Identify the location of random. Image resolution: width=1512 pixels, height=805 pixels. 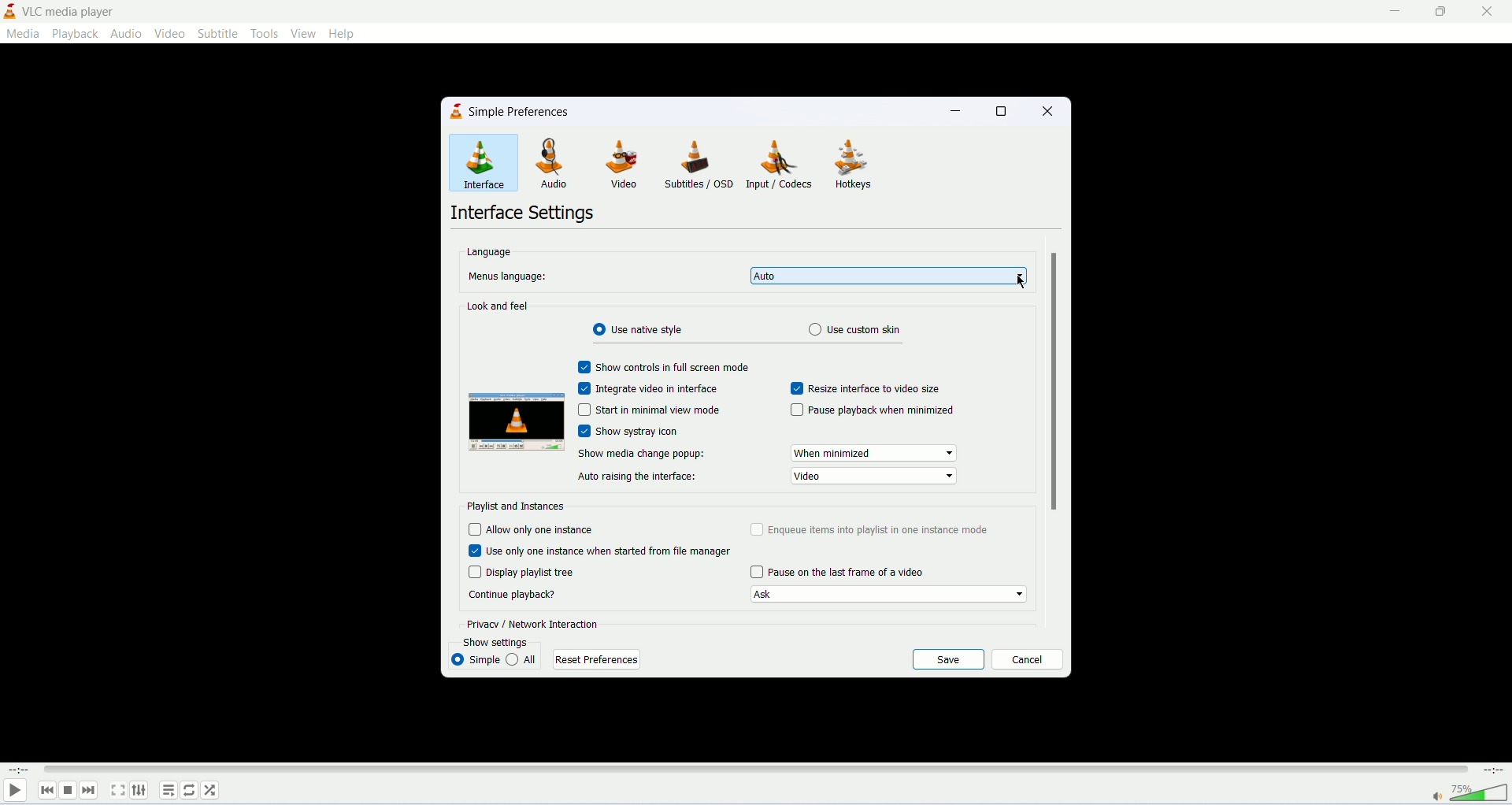
(211, 791).